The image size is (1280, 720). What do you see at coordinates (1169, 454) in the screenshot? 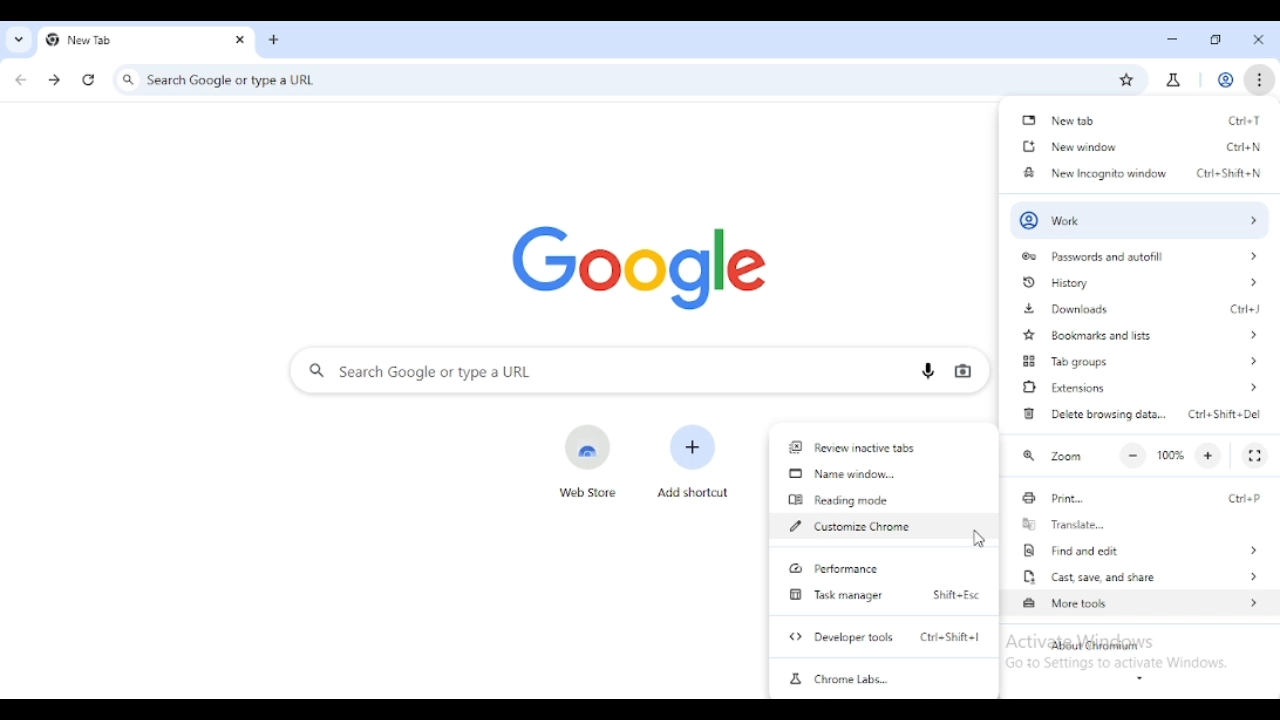
I see `100%` at bounding box center [1169, 454].